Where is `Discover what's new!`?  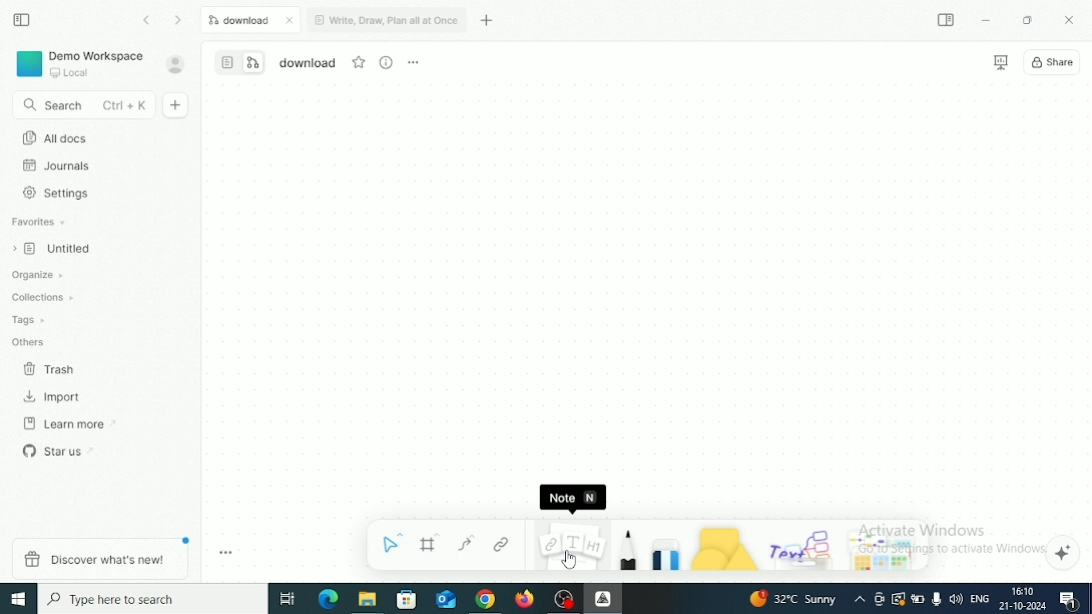
Discover what's new! is located at coordinates (102, 558).